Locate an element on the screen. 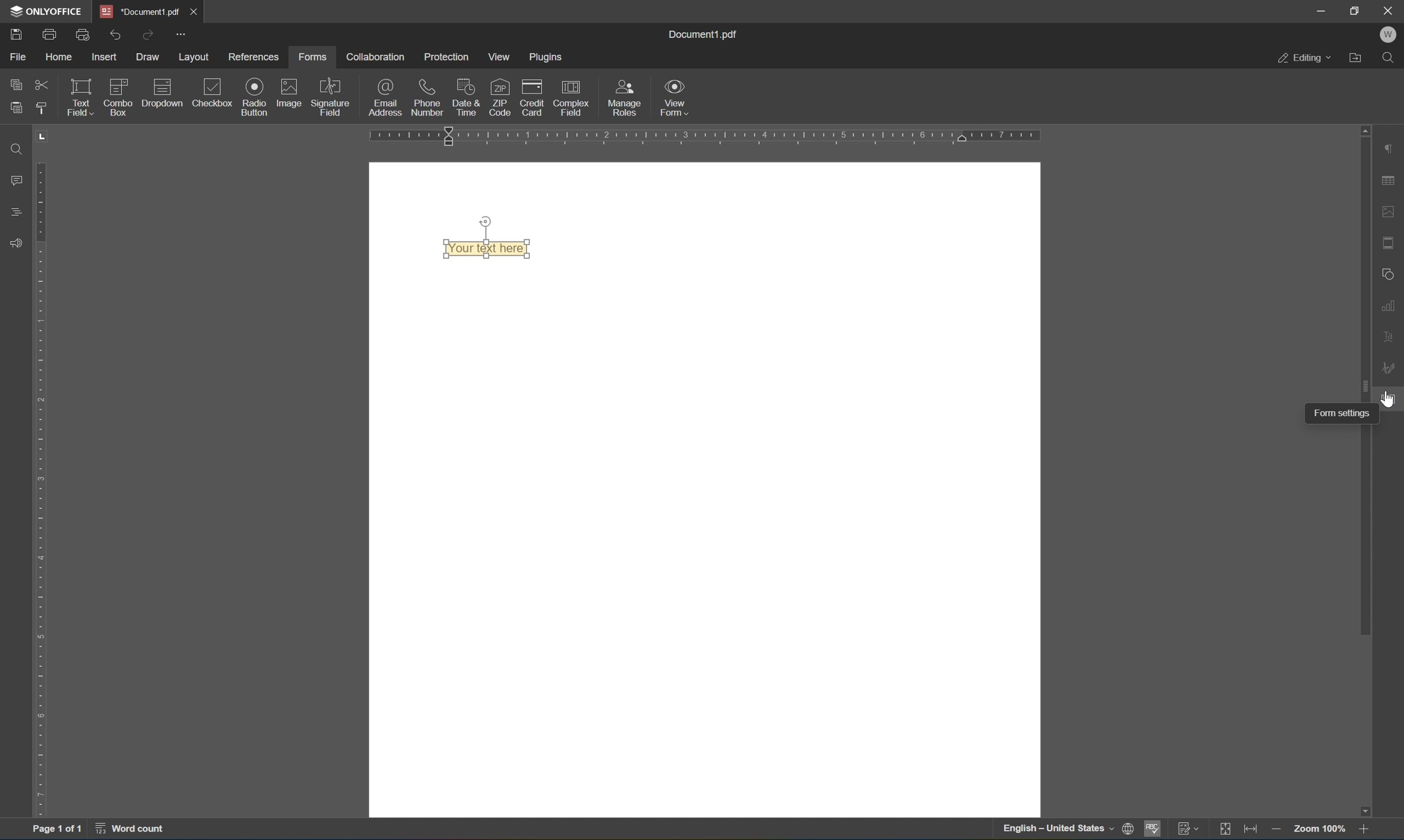  paragraph settings is located at coordinates (1389, 147).